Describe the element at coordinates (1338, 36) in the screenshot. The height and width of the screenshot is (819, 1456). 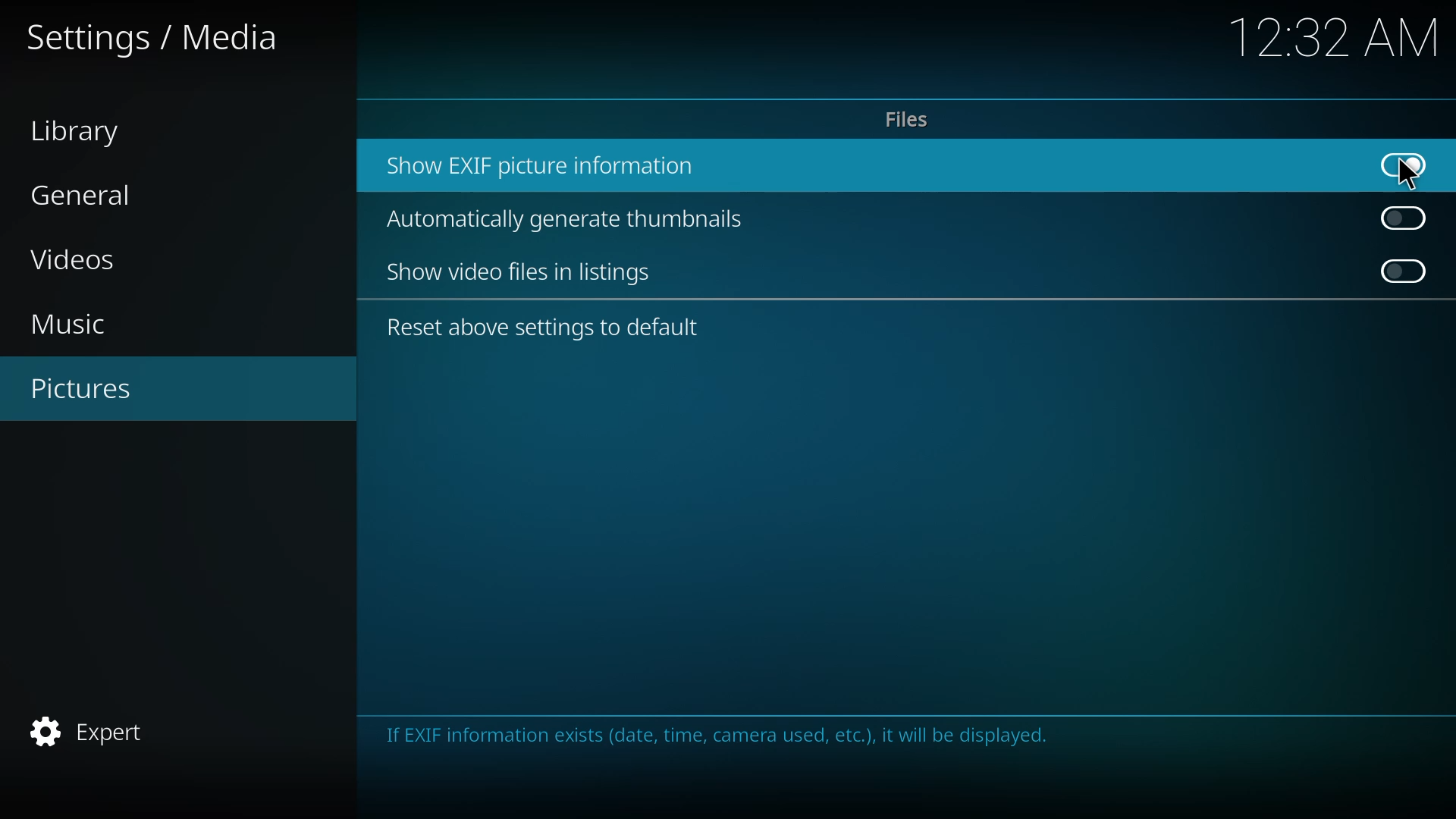
I see `time` at that location.